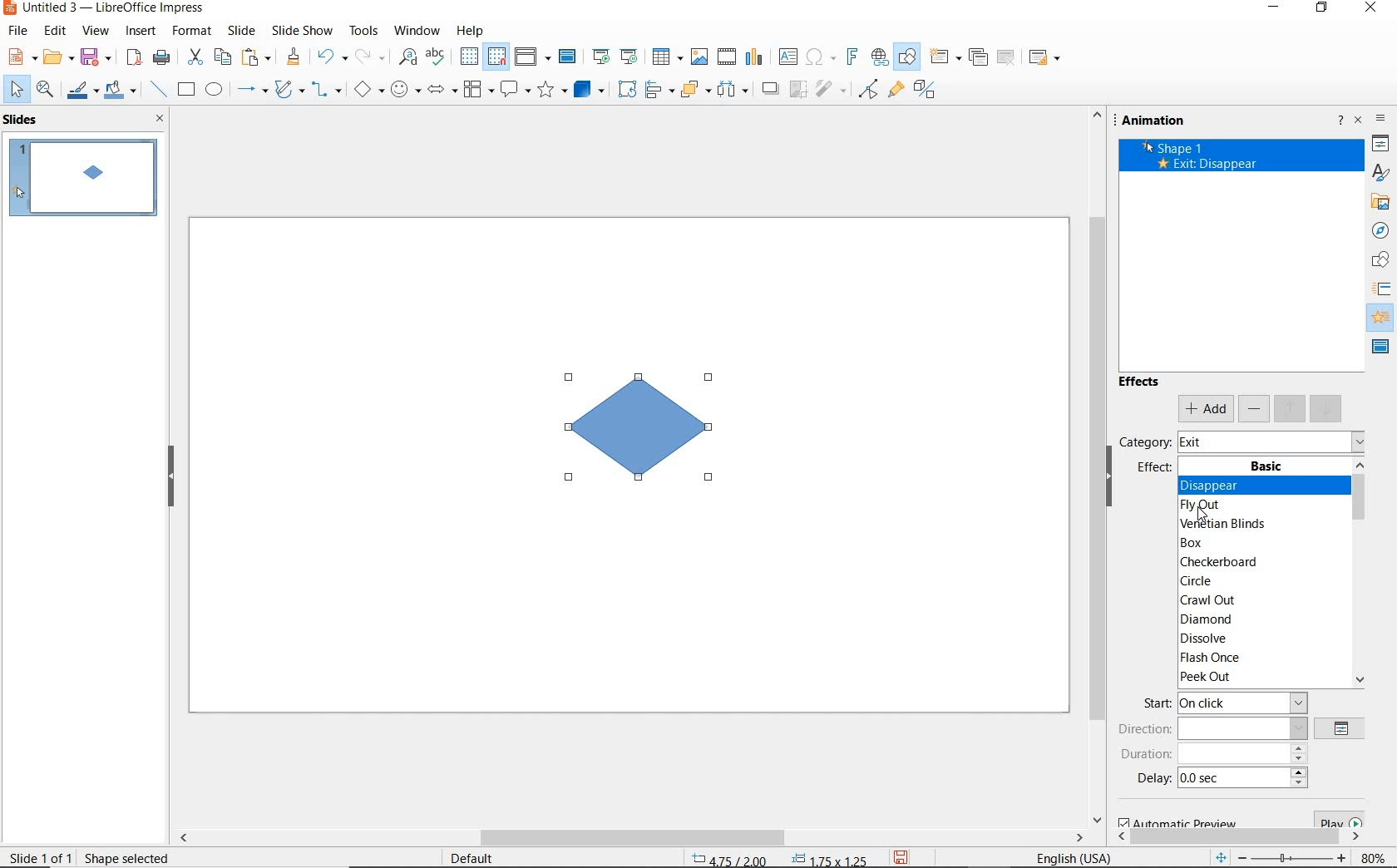 The image size is (1397, 868). Describe the element at coordinates (1077, 856) in the screenshot. I see `text language` at that location.